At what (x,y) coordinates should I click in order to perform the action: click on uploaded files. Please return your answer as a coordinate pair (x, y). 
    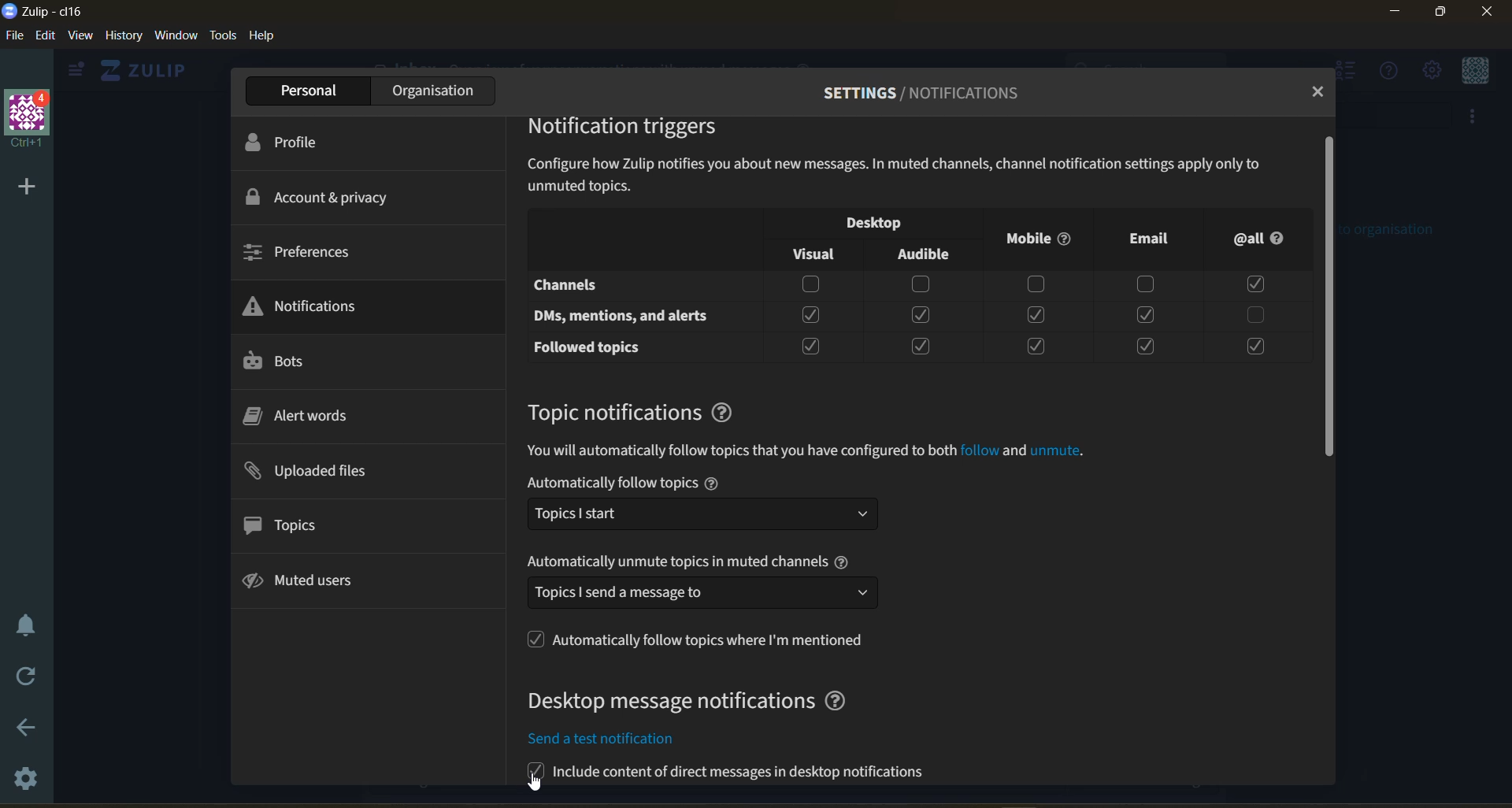
    Looking at the image, I should click on (317, 471).